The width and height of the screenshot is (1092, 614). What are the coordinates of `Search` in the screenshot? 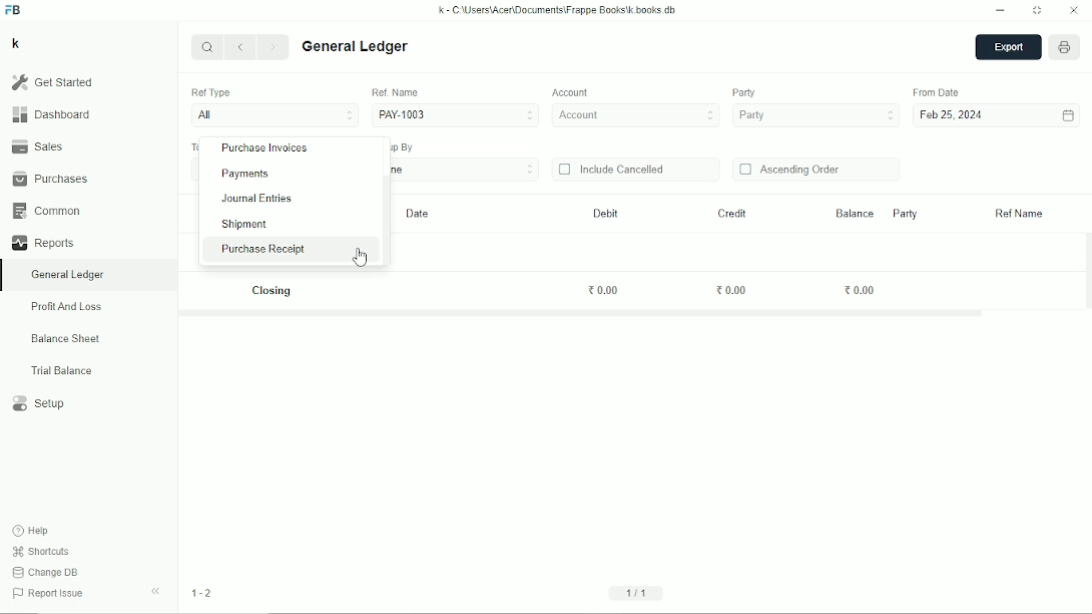 It's located at (207, 46).